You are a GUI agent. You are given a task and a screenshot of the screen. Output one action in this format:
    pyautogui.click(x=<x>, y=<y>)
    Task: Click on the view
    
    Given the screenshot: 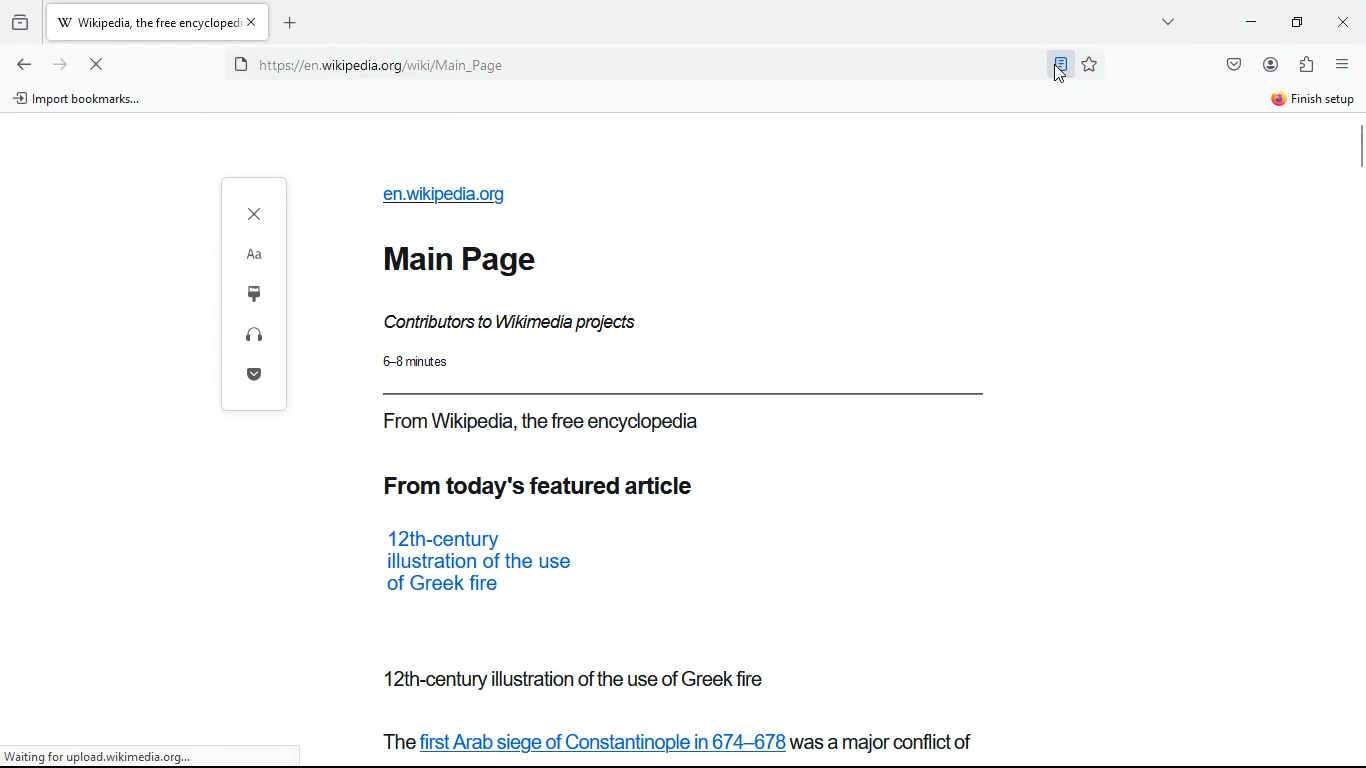 What is the action you would take?
    pyautogui.click(x=1169, y=25)
    